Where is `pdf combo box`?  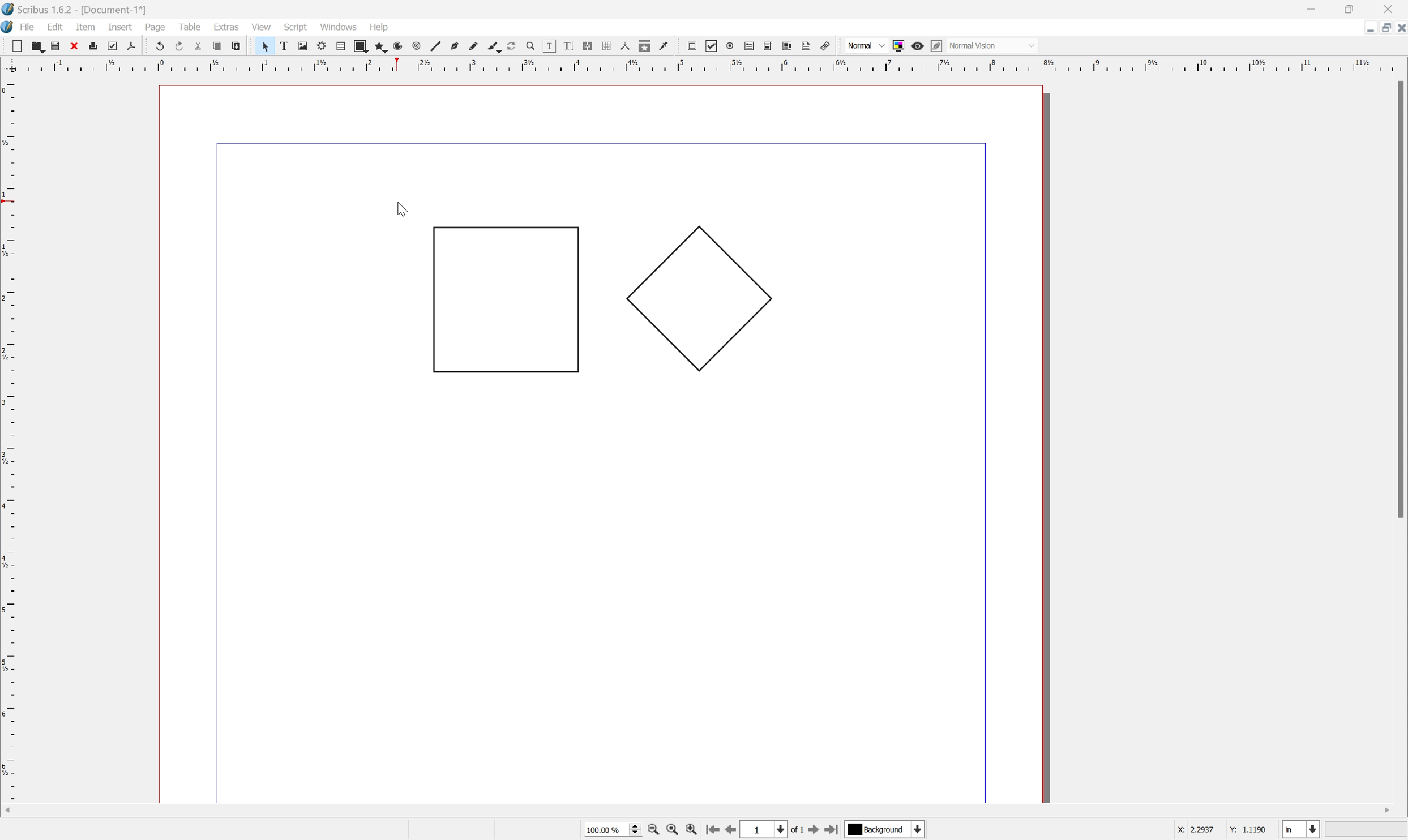 pdf combo box is located at coordinates (768, 46).